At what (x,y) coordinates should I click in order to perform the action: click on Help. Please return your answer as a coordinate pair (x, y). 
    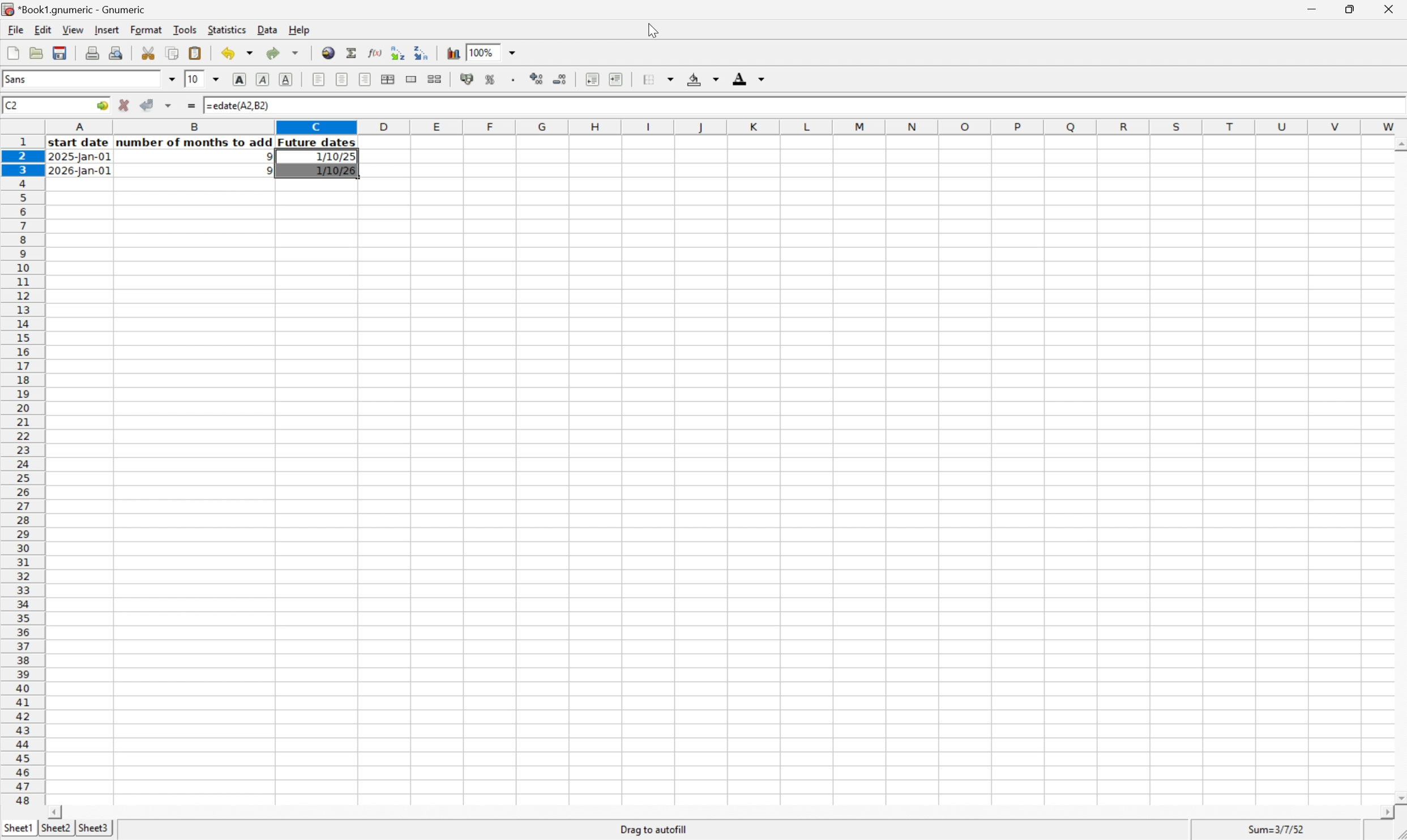
    Looking at the image, I should click on (299, 29).